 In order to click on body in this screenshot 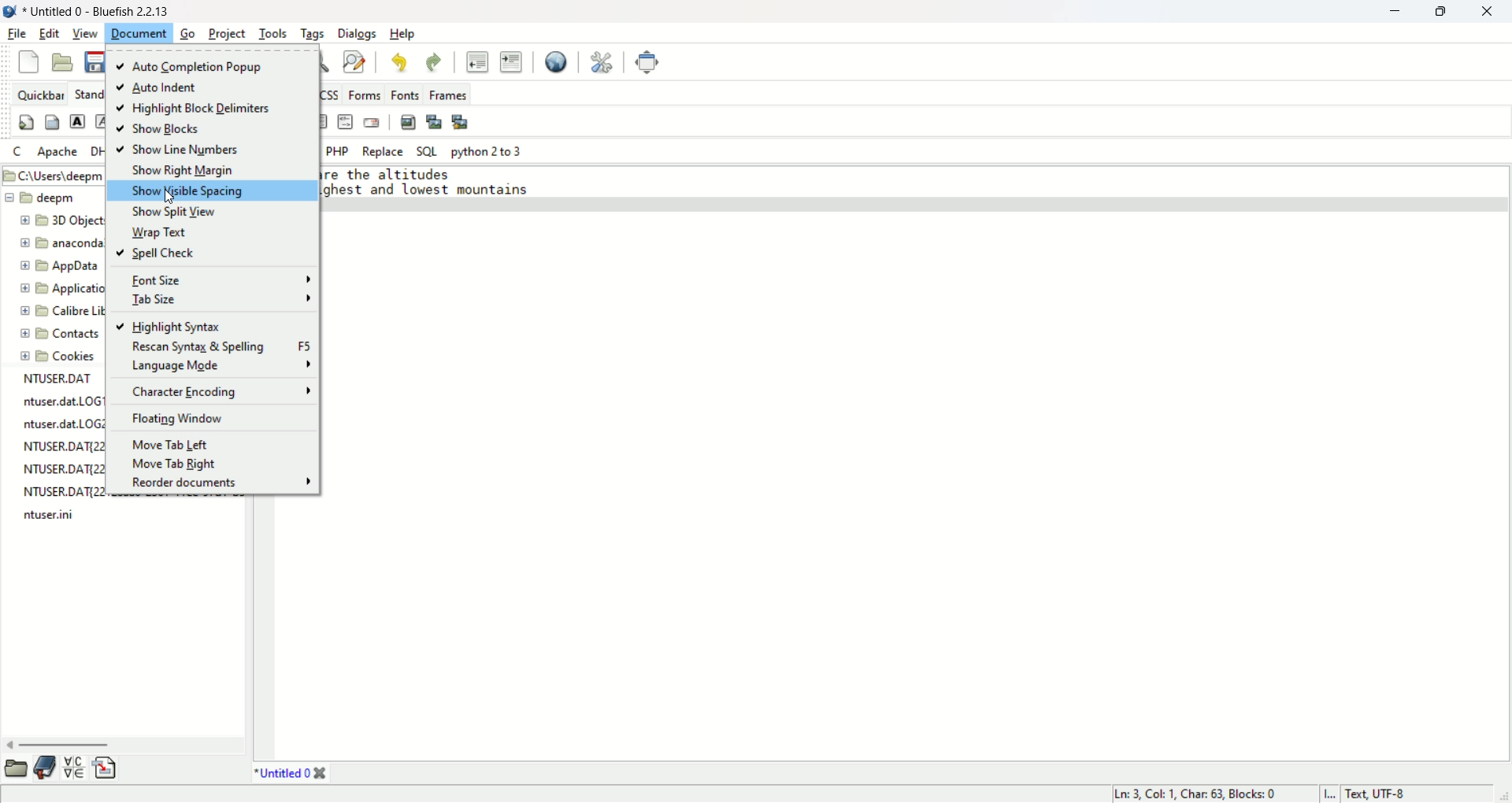, I will do `click(50, 124)`.